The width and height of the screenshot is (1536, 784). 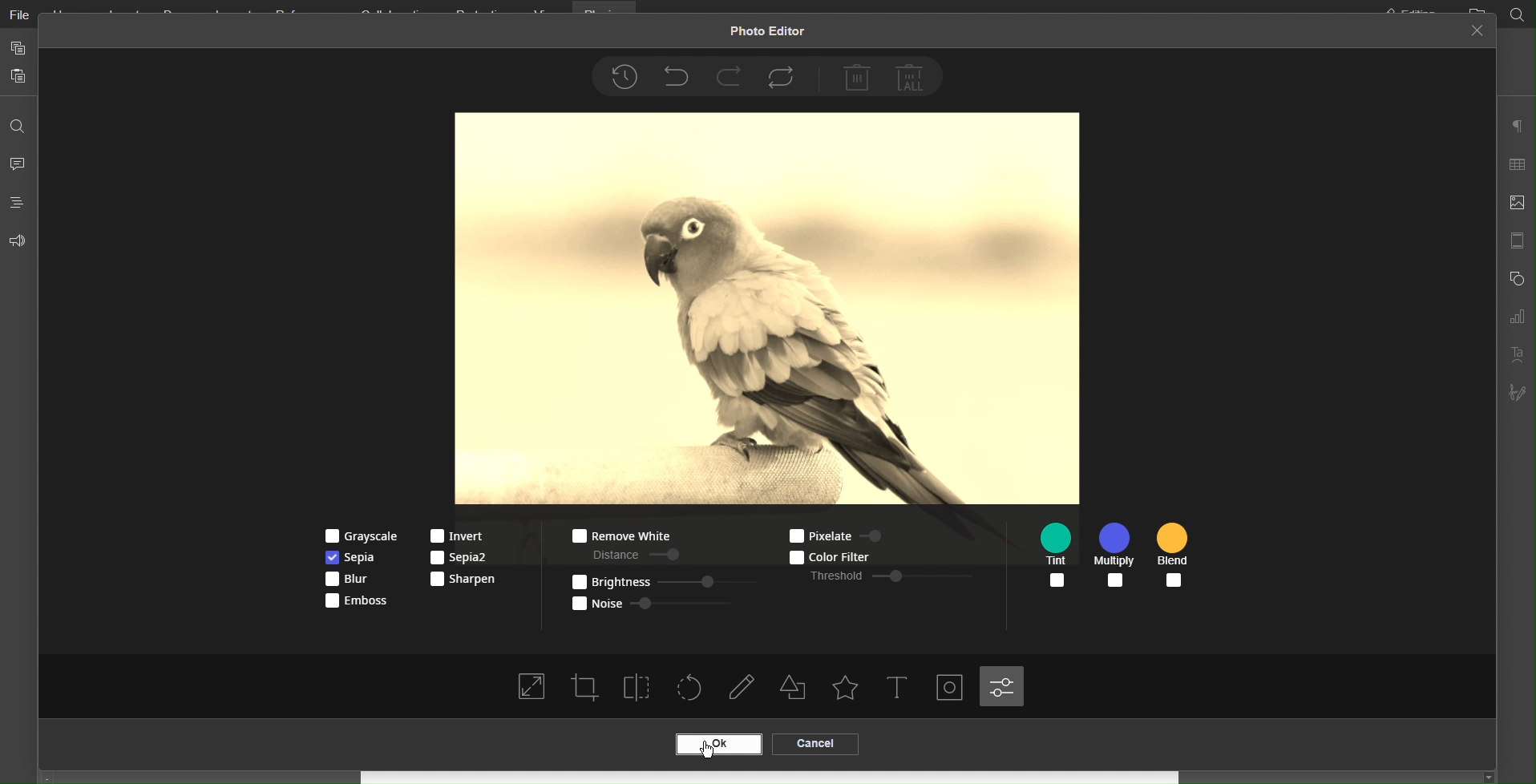 What do you see at coordinates (632, 553) in the screenshot?
I see `Distance` at bounding box center [632, 553].